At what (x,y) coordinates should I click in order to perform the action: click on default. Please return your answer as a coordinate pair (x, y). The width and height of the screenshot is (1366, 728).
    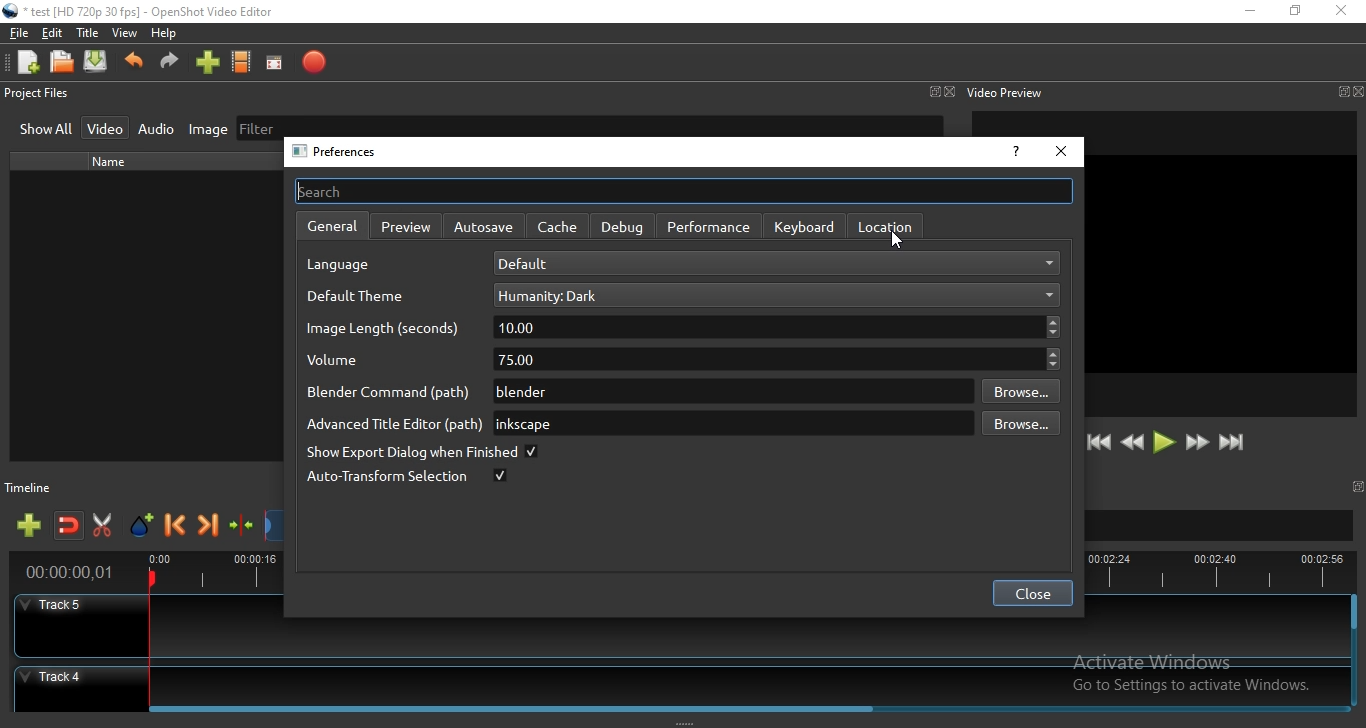
    Looking at the image, I should click on (776, 263).